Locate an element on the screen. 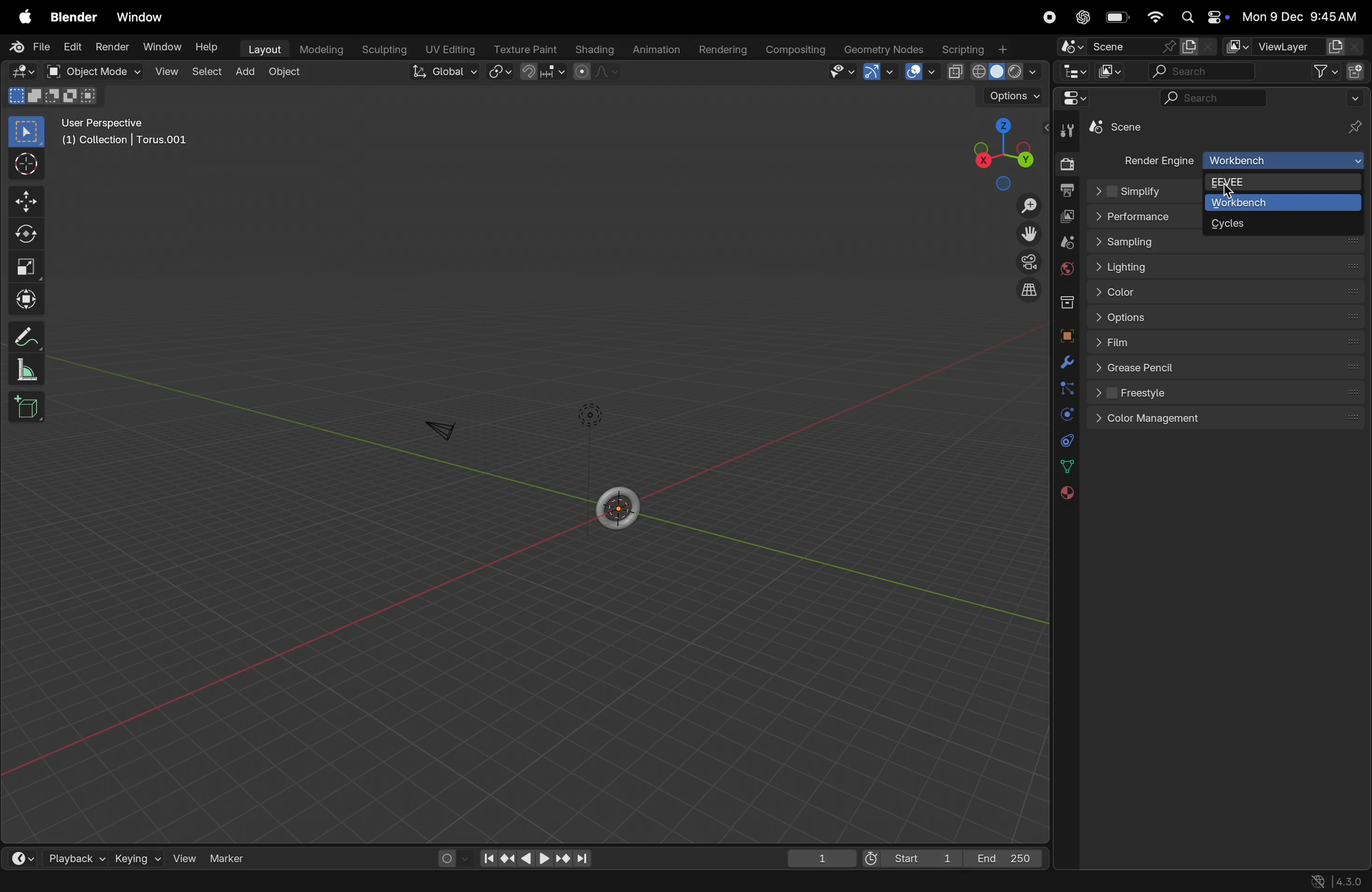 This screenshot has height=892, width=1372. view point is located at coordinates (1000, 148).